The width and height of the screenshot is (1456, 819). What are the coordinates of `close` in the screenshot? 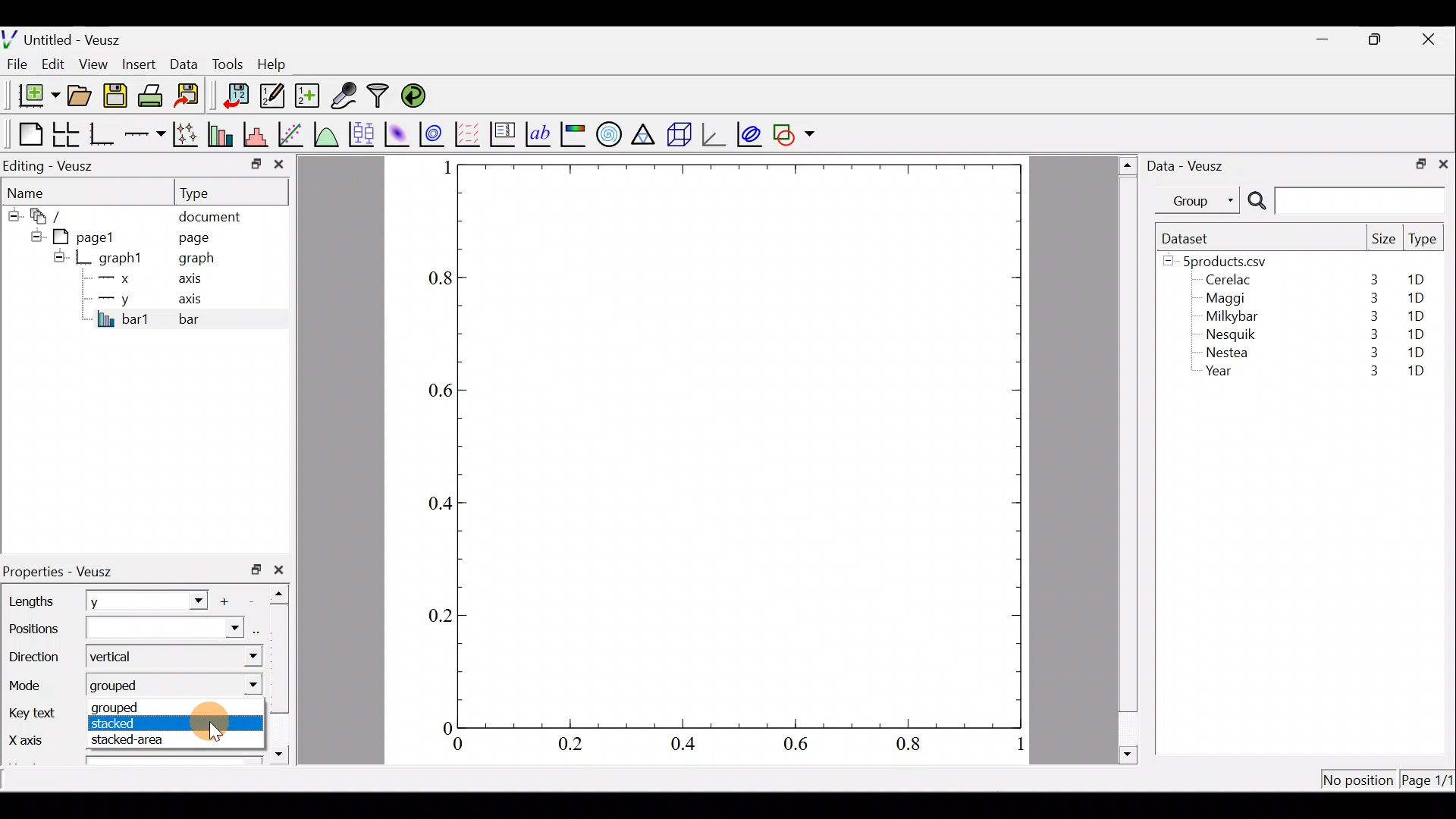 It's located at (282, 570).